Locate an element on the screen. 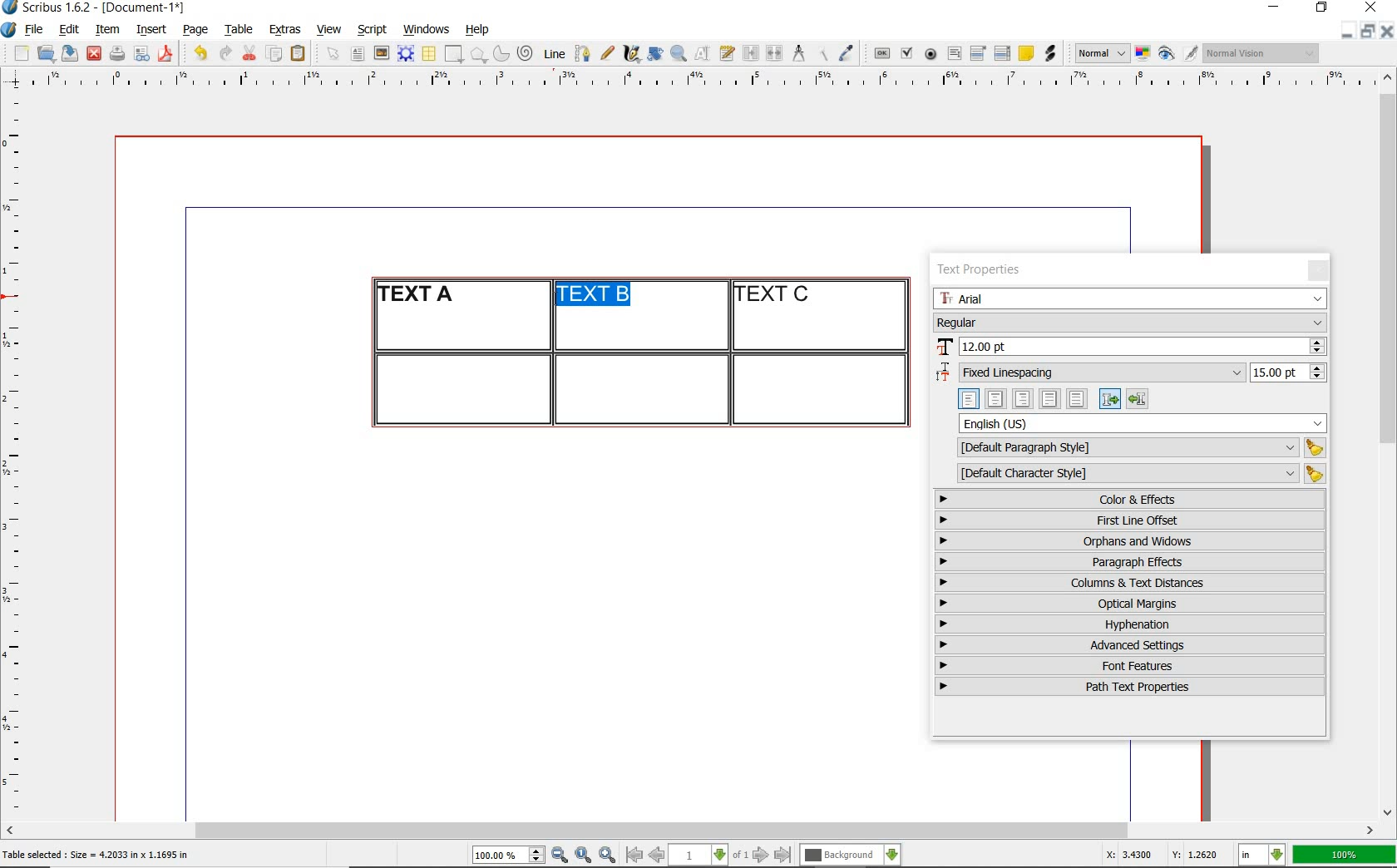 This screenshot has width=1397, height=868. Table selected : Size = 4.2033 in x 1.1695 in is located at coordinates (96, 854).